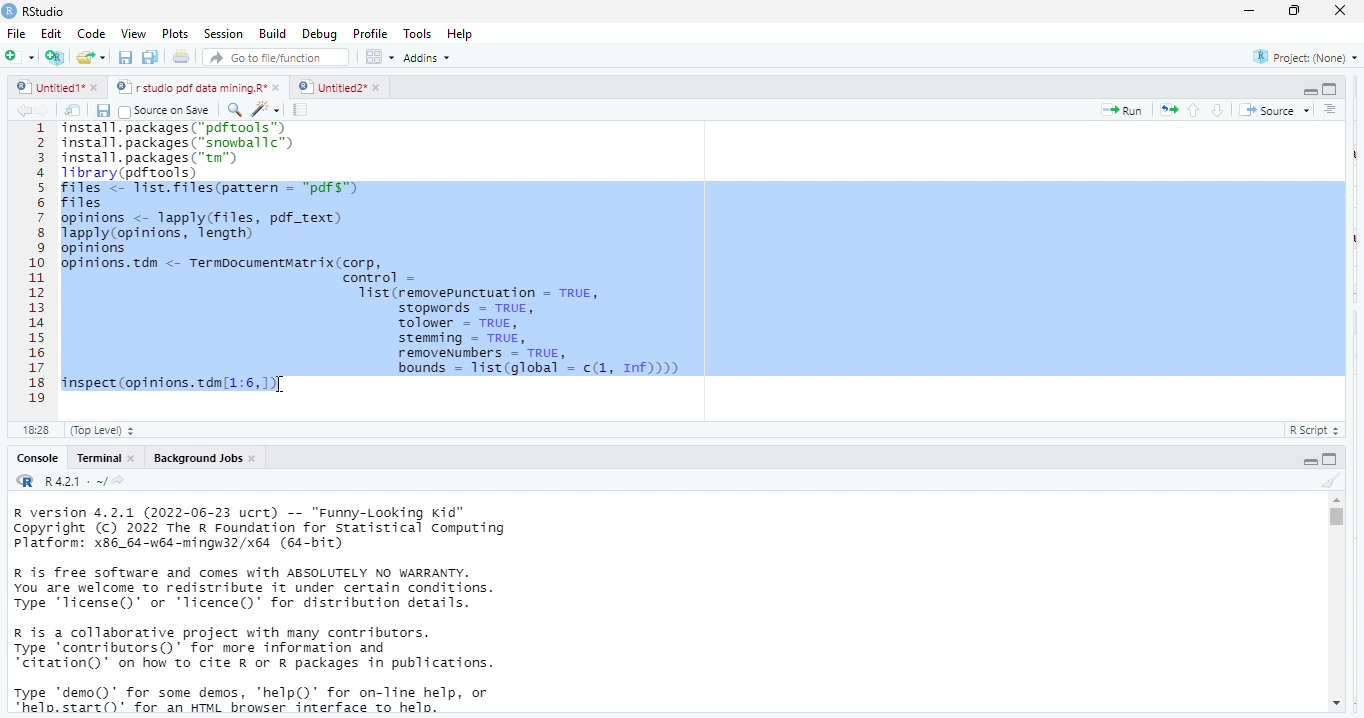  Describe the element at coordinates (89, 34) in the screenshot. I see `code` at that location.